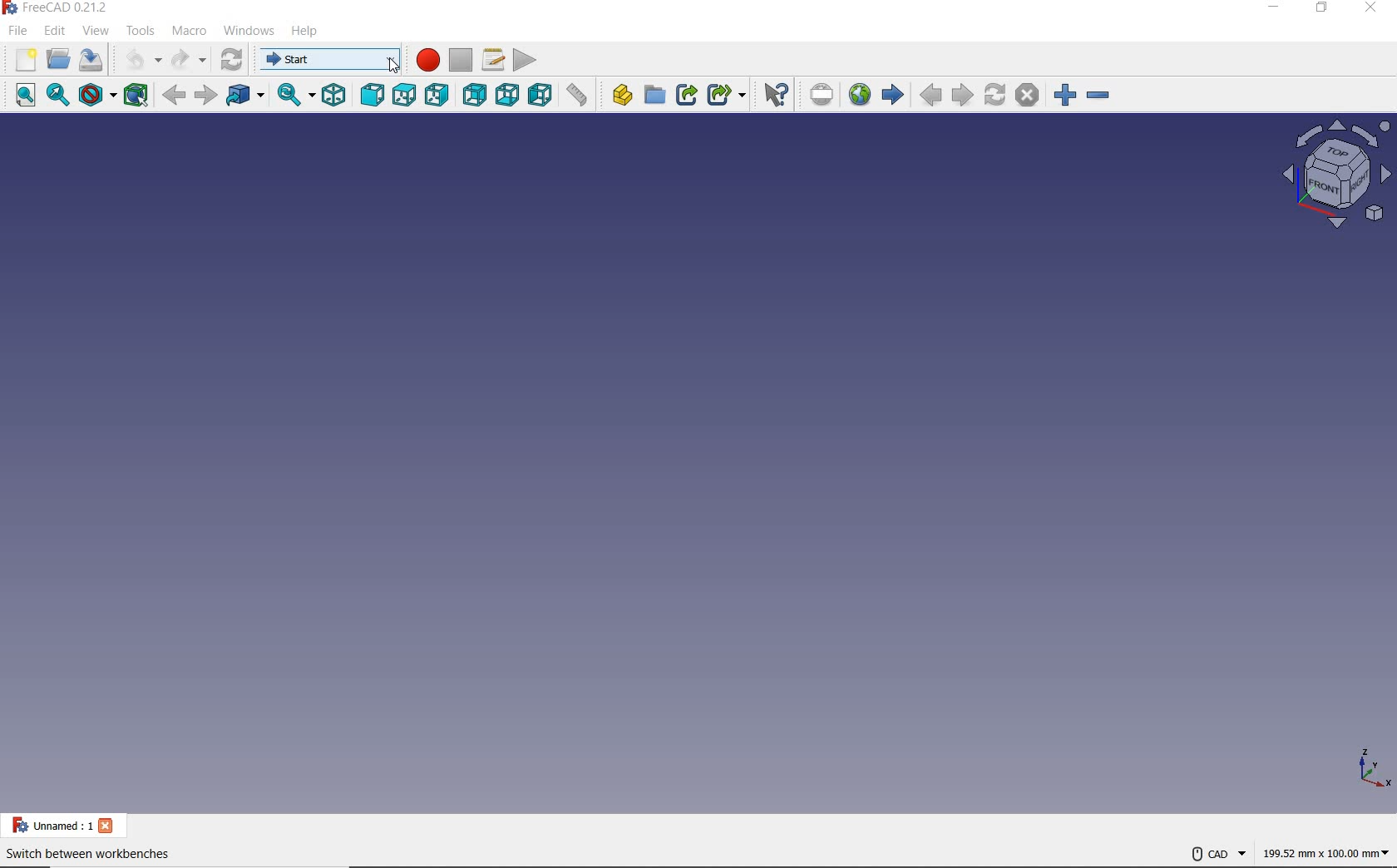 This screenshot has height=868, width=1397. Describe the element at coordinates (1098, 94) in the screenshot. I see `ZOOM OUT` at that location.